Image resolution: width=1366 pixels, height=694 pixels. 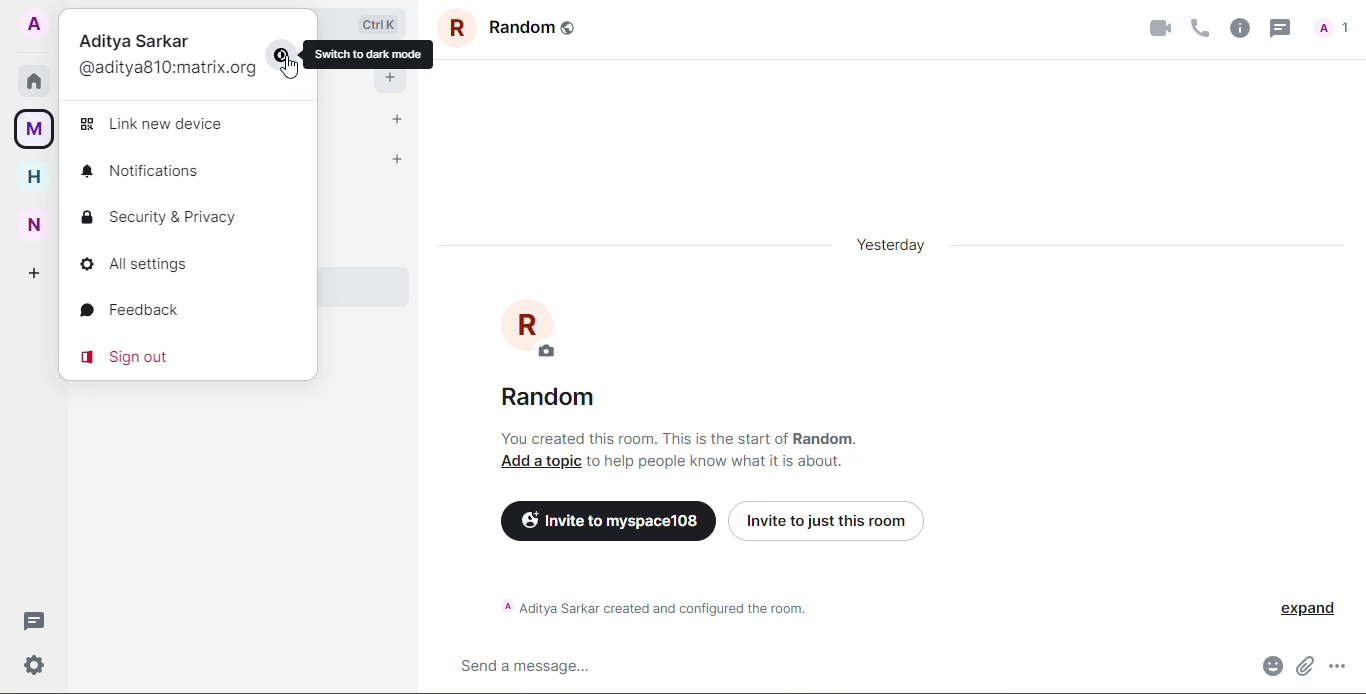 What do you see at coordinates (1271, 666) in the screenshot?
I see `emoji` at bounding box center [1271, 666].